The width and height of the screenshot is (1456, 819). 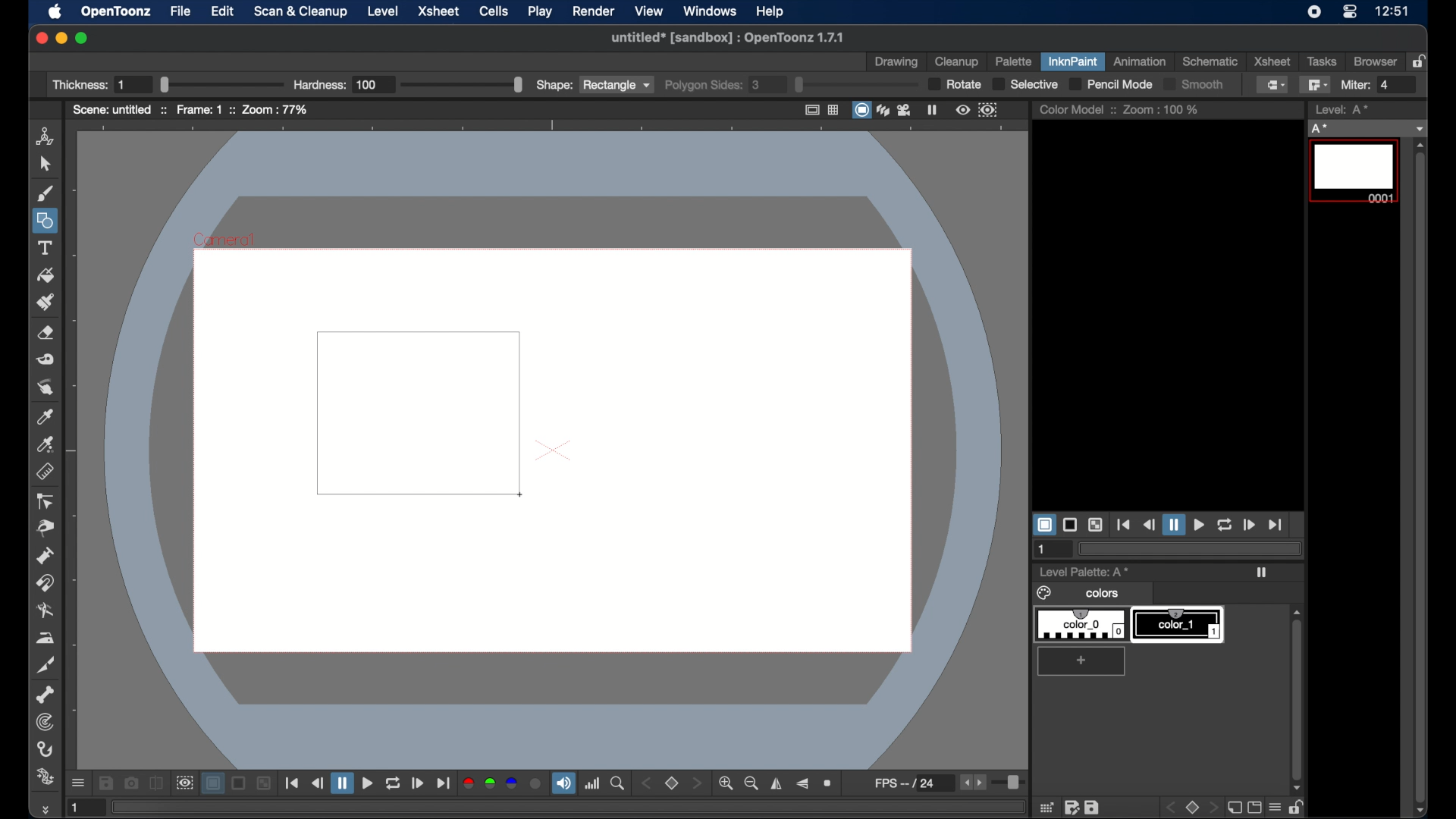 What do you see at coordinates (45, 472) in the screenshot?
I see `ruler tool` at bounding box center [45, 472].